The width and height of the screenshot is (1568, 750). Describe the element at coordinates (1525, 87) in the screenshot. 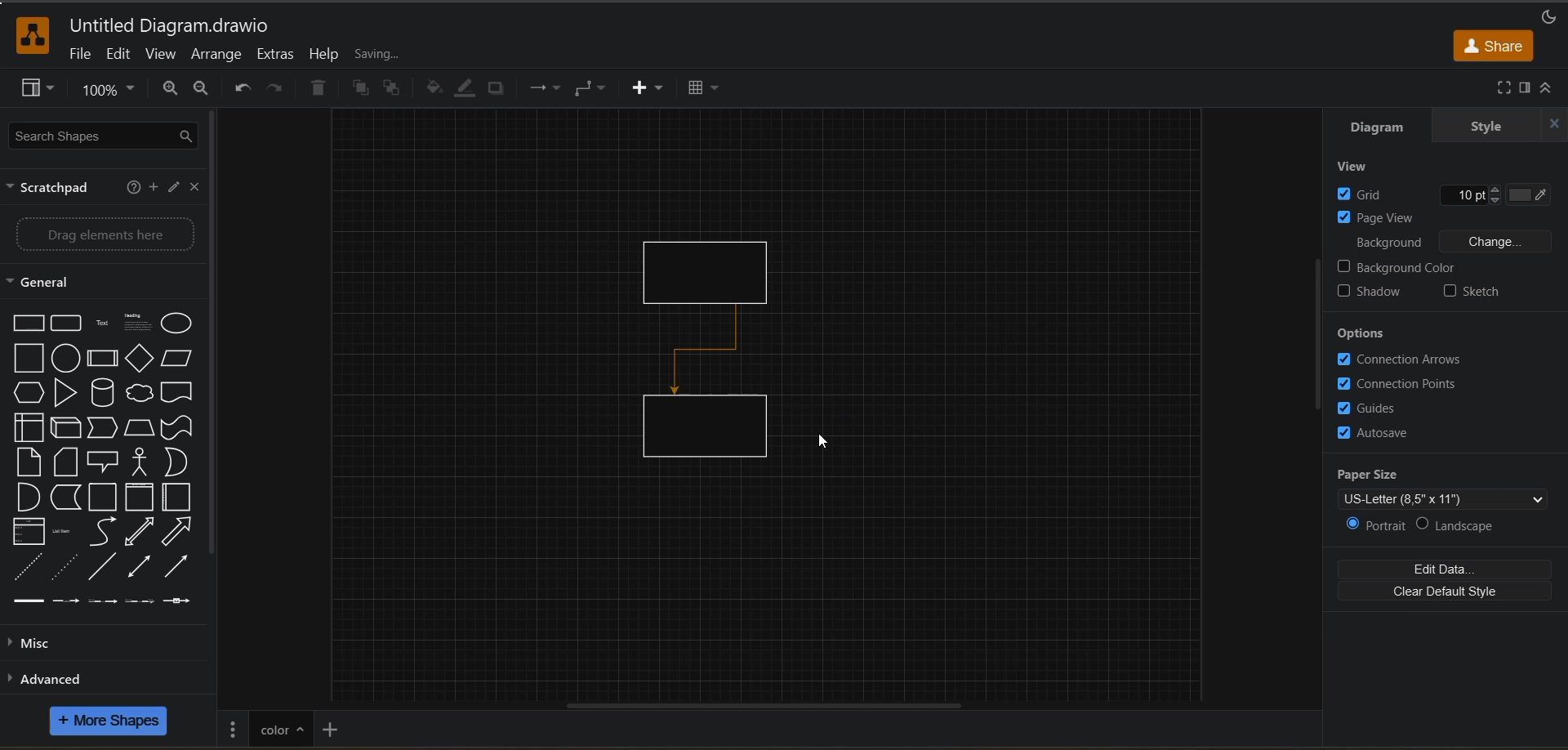

I see `format` at that location.